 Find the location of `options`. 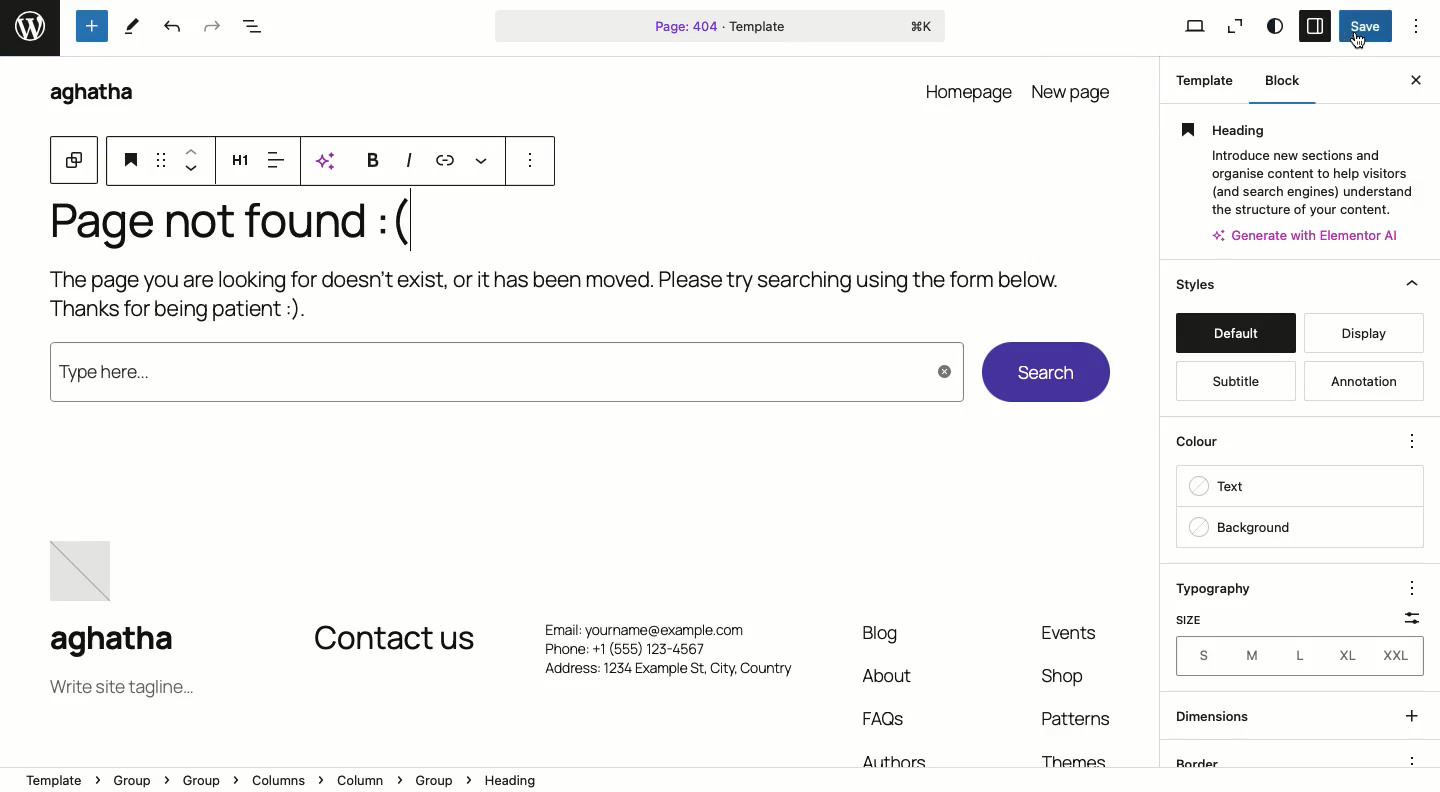

options is located at coordinates (1412, 438).